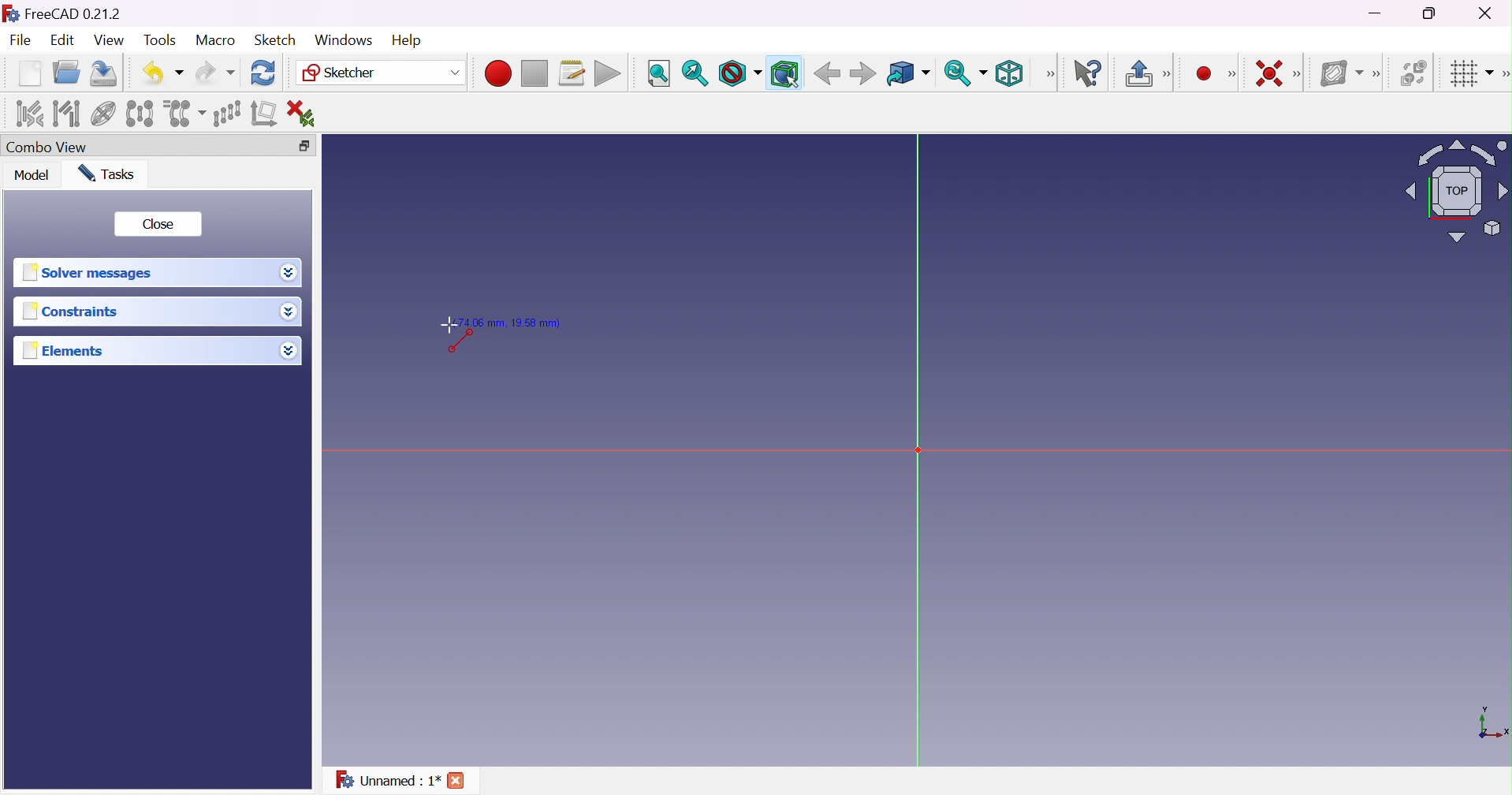 The image size is (1512, 795). What do you see at coordinates (184, 112) in the screenshot?
I see `Clone` at bounding box center [184, 112].